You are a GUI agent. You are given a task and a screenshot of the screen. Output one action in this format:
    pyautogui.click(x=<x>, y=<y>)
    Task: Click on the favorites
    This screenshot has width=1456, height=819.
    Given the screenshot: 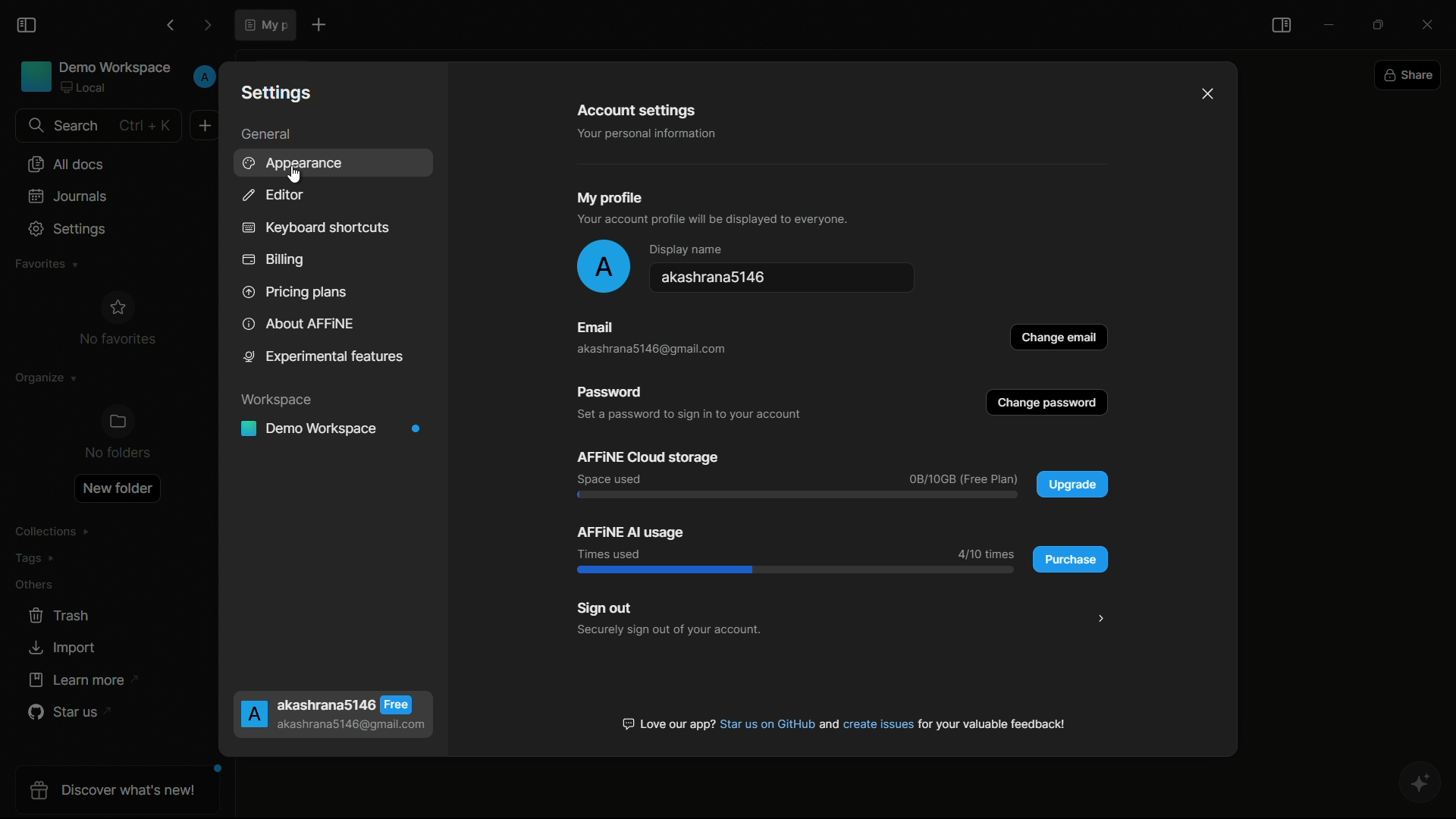 What is the action you would take?
    pyautogui.click(x=43, y=265)
    